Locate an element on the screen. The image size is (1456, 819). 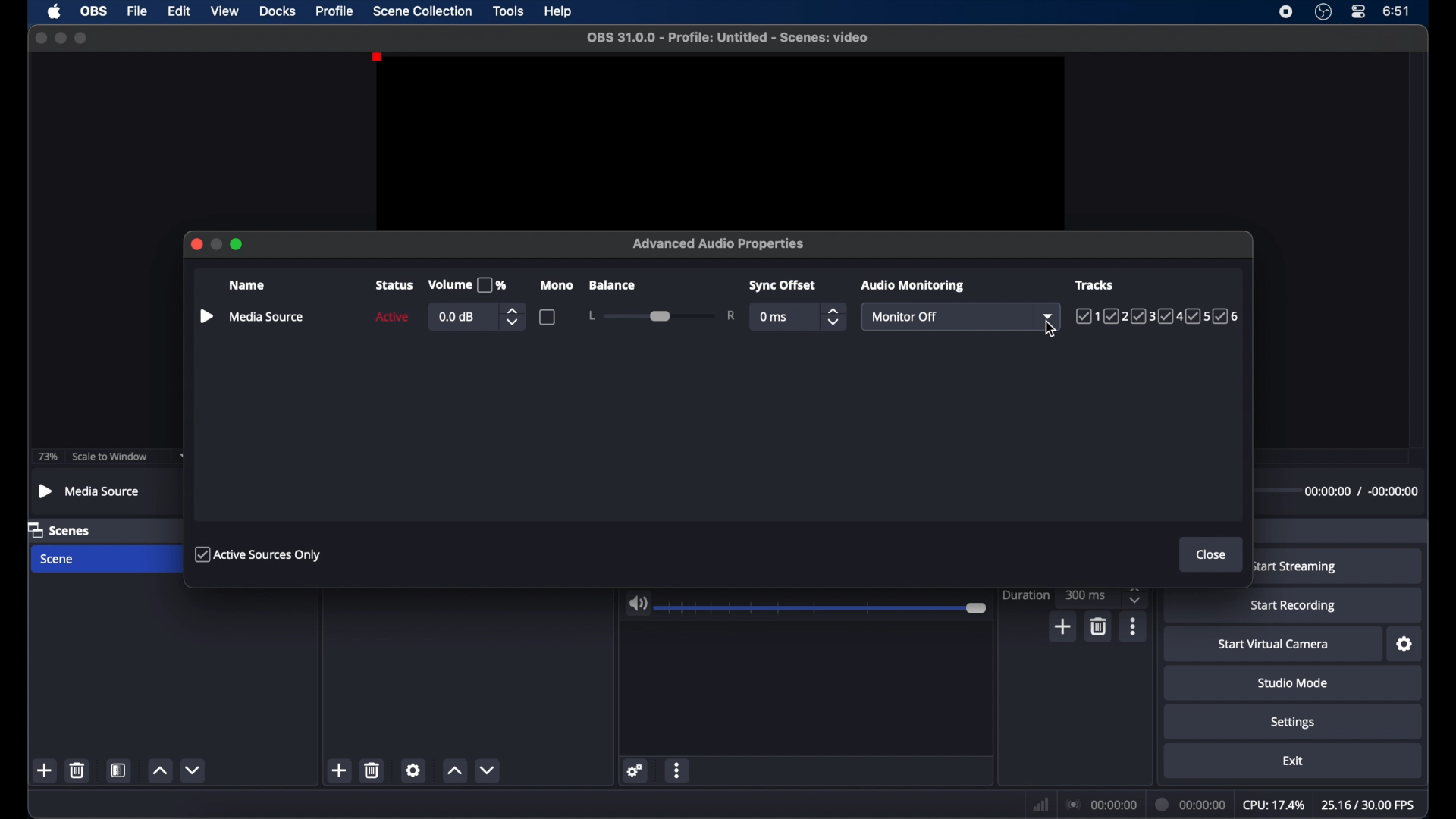
dropdown is located at coordinates (1047, 312).